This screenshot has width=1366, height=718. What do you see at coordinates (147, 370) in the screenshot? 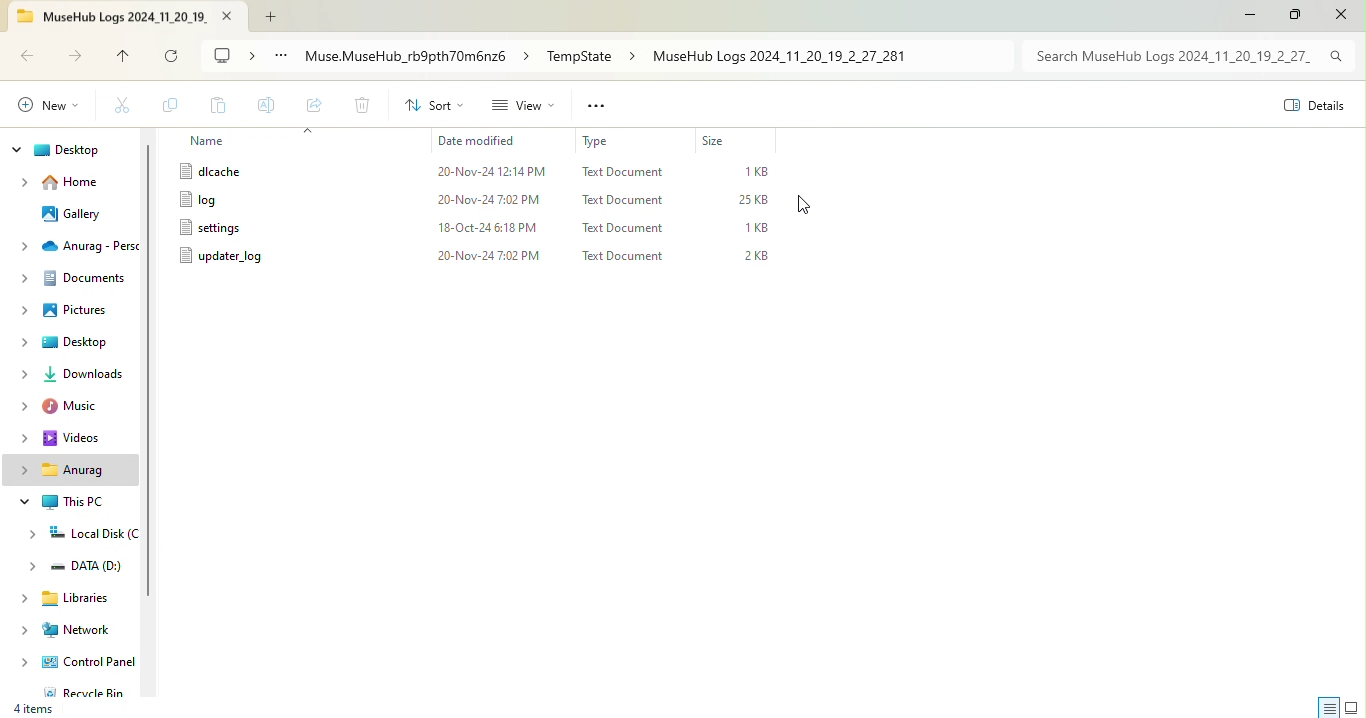
I see `Vertical scroll bar` at bounding box center [147, 370].